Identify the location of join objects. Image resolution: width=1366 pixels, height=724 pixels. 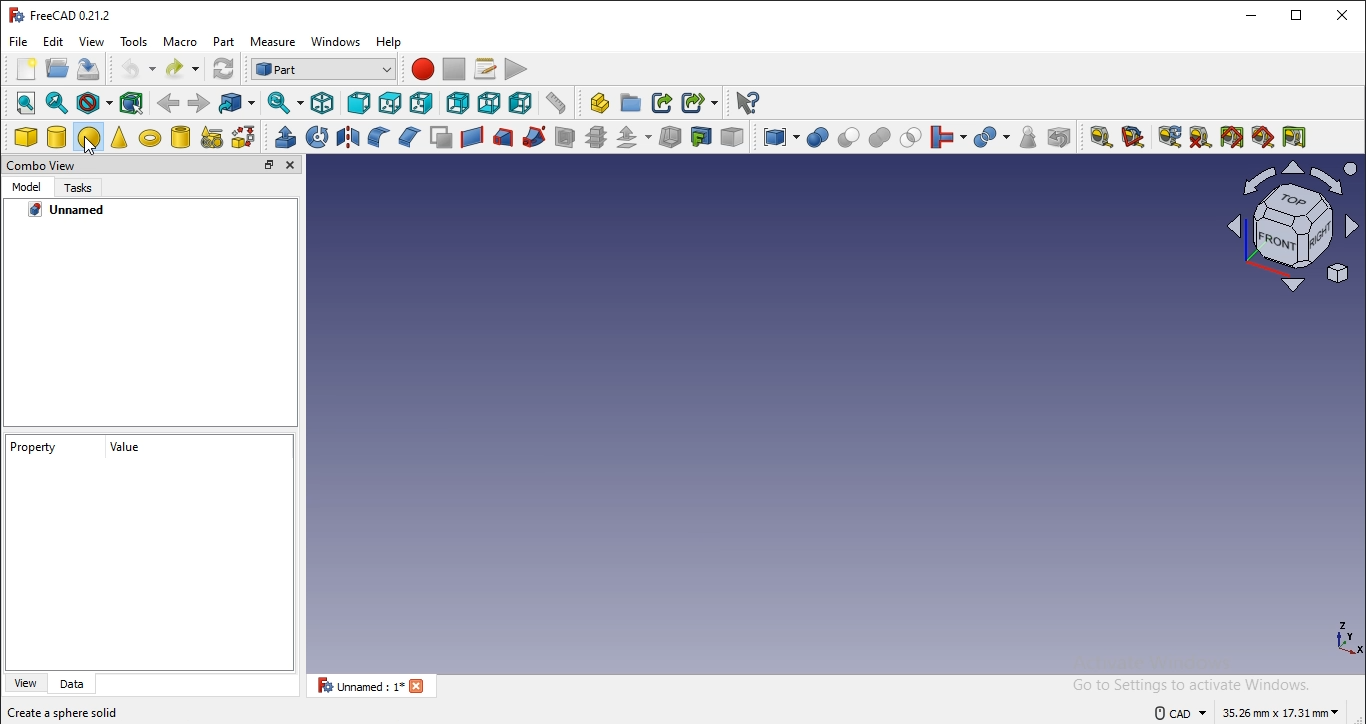
(944, 138).